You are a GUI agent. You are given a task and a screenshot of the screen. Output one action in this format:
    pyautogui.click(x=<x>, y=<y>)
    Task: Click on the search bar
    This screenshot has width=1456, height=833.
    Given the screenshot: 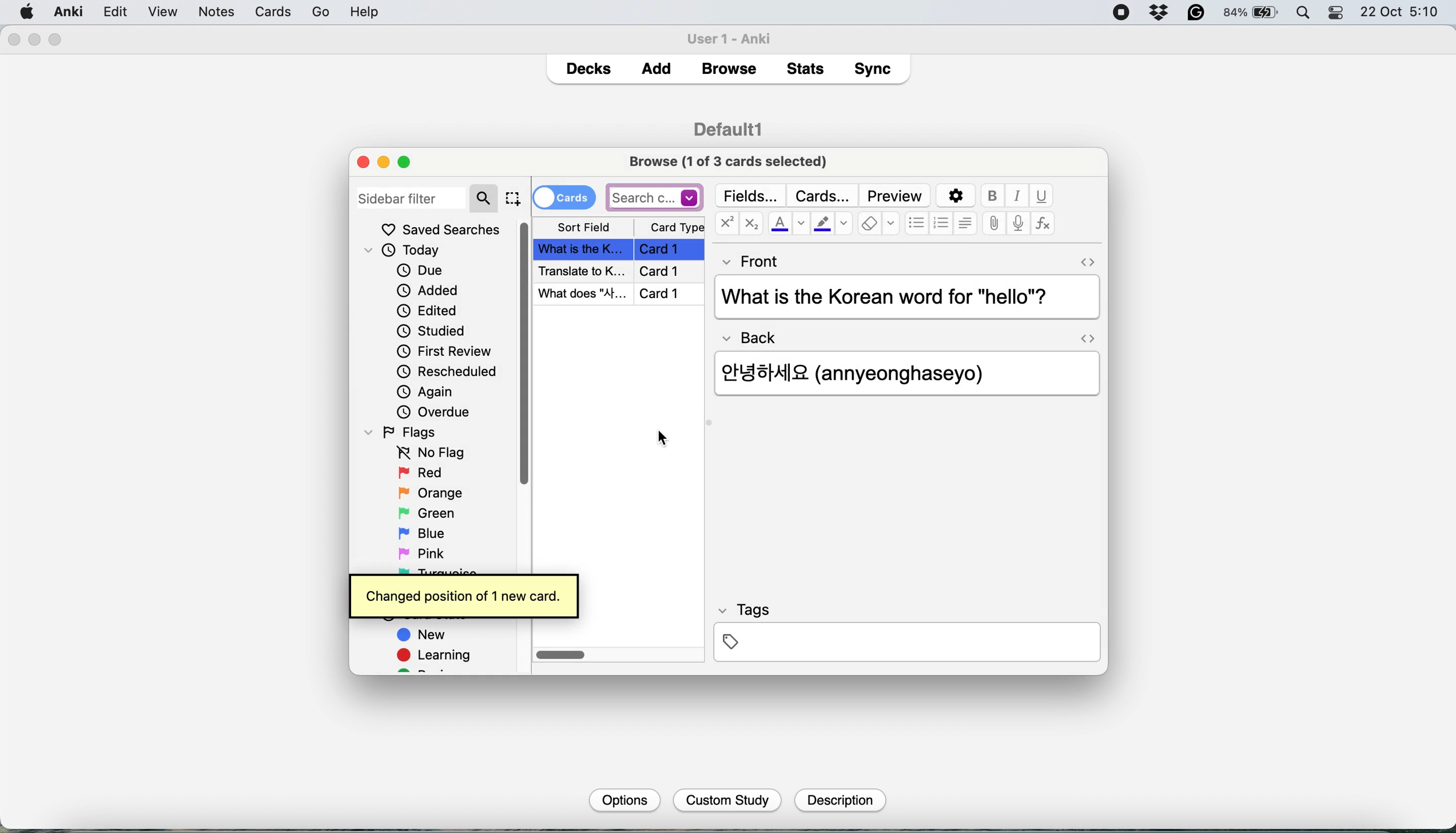 What is the action you would take?
    pyautogui.click(x=427, y=197)
    